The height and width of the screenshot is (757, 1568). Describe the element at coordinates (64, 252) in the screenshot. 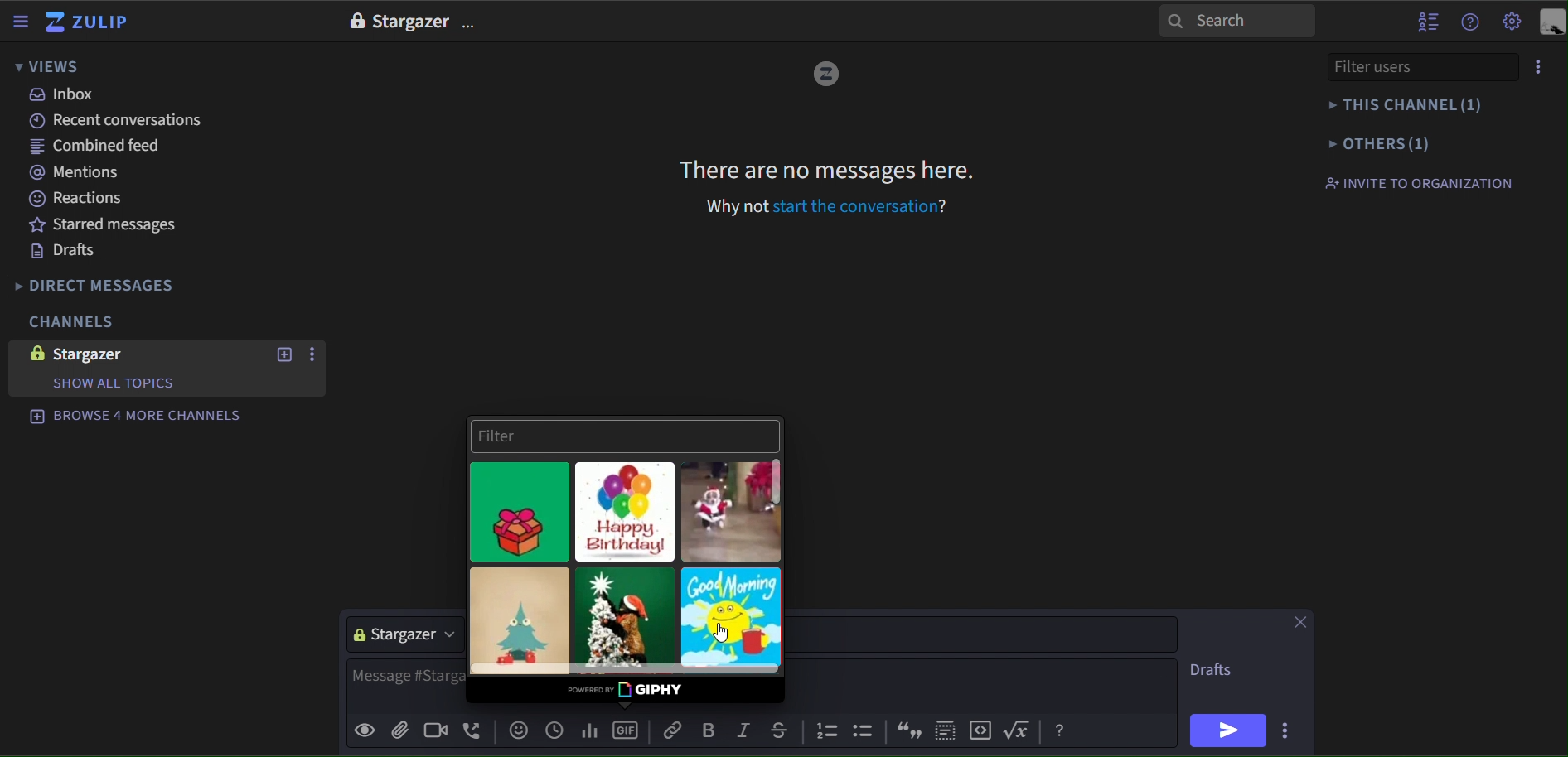

I see `drafts` at that location.